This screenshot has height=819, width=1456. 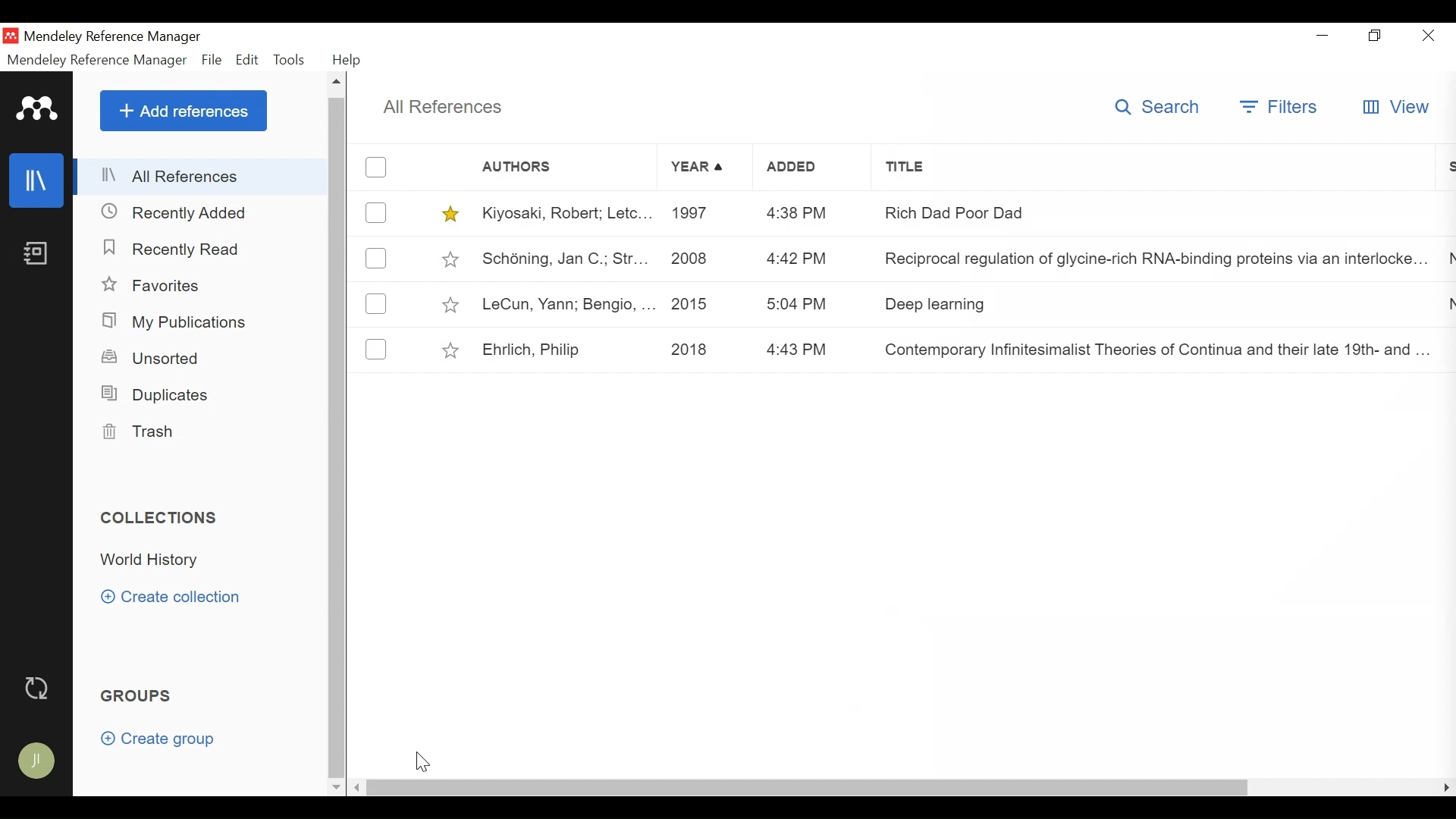 What do you see at coordinates (566, 350) in the screenshot?
I see `EHRLICH, PHILIP` at bounding box center [566, 350].